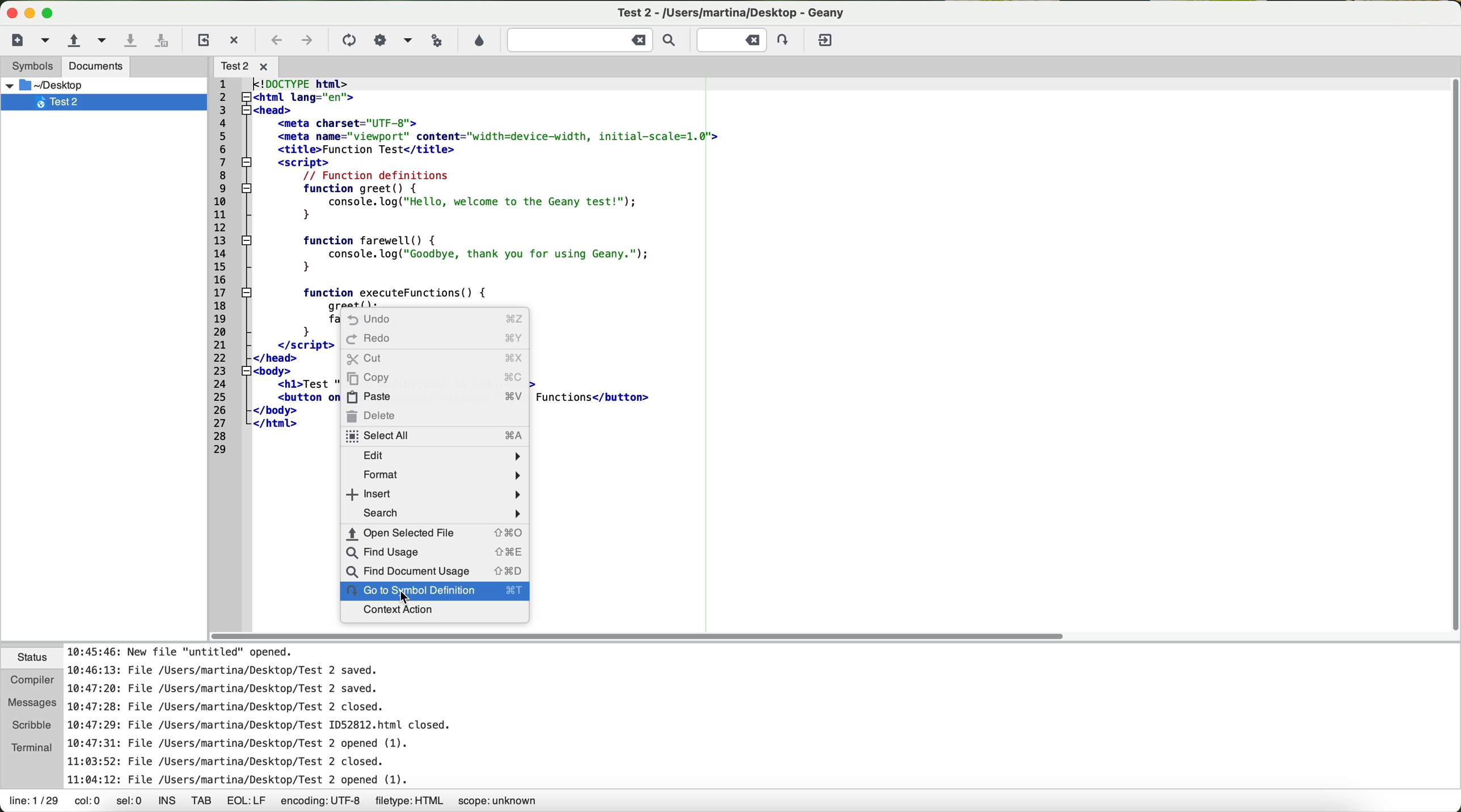 This screenshot has width=1461, height=812. I want to click on paste, so click(432, 395).